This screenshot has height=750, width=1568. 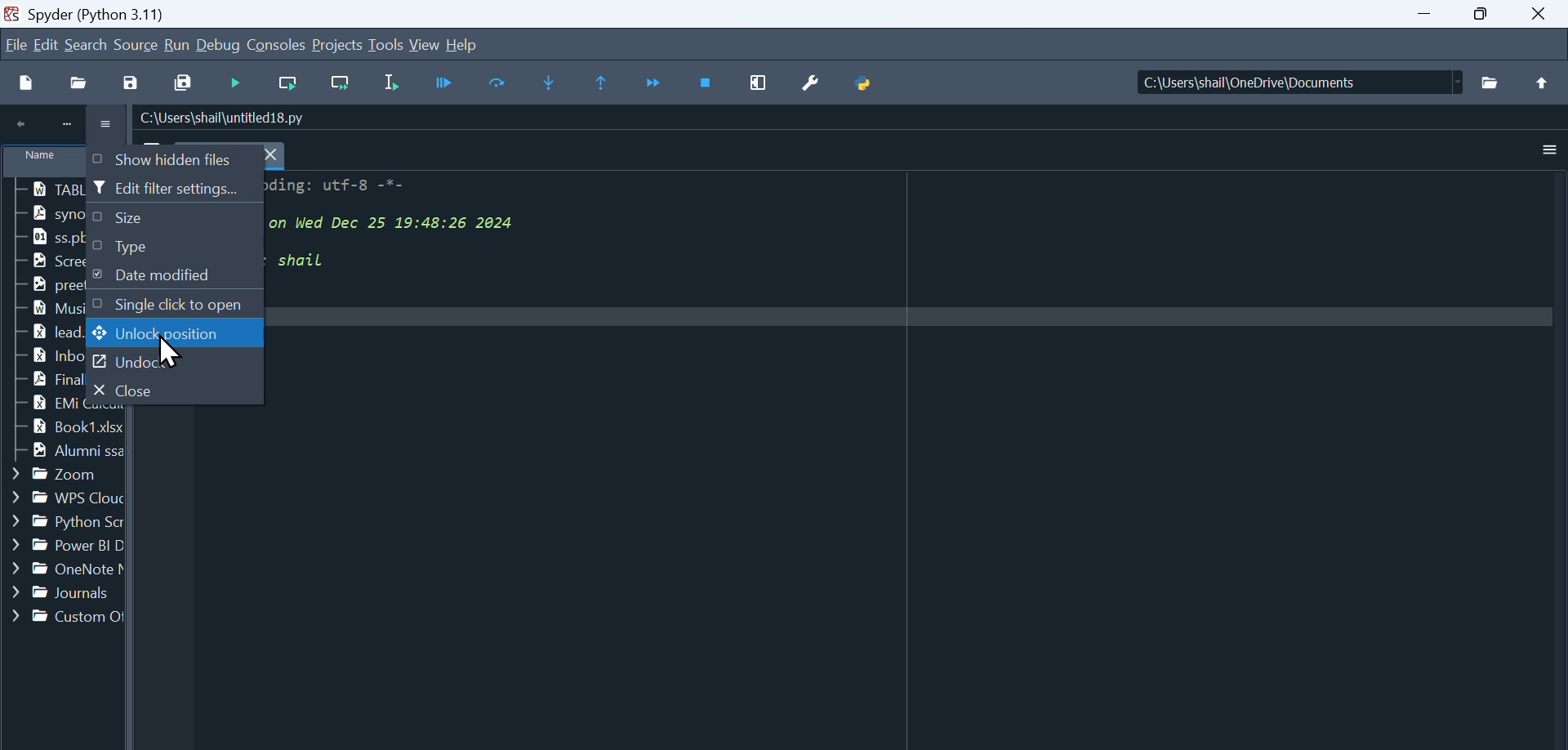 What do you see at coordinates (62, 519) in the screenshot?
I see `Python Sci..` at bounding box center [62, 519].